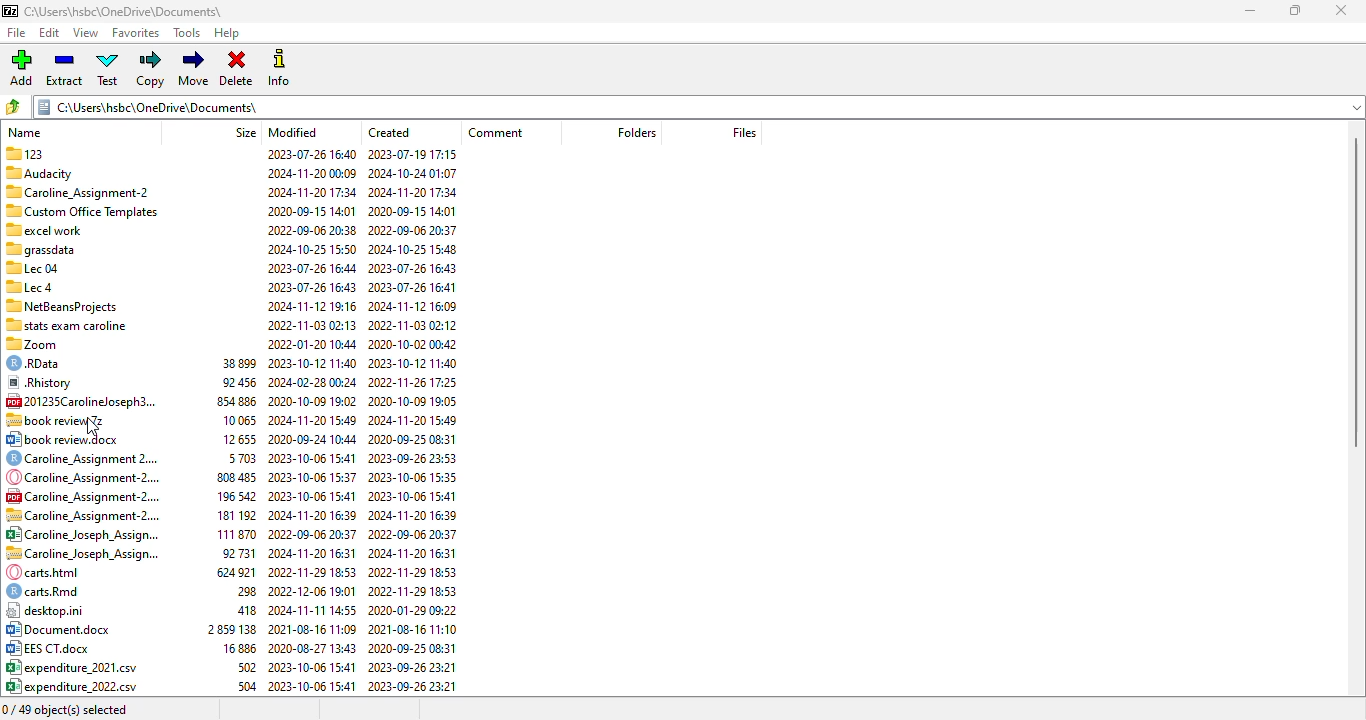 The image size is (1366, 720). Describe the element at coordinates (64, 68) in the screenshot. I see `extract` at that location.